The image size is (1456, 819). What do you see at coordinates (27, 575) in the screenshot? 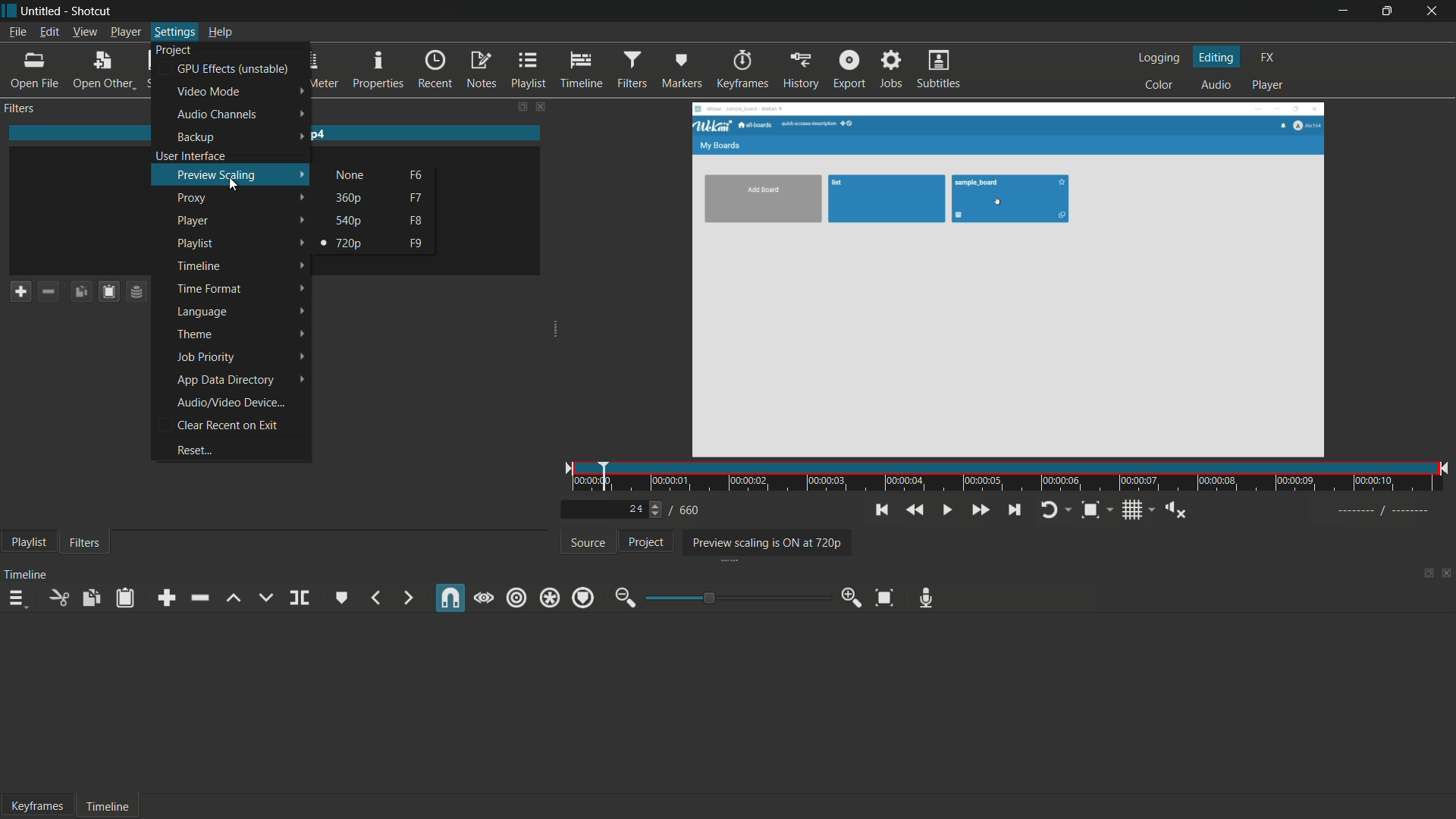
I see `timeline` at bounding box center [27, 575].